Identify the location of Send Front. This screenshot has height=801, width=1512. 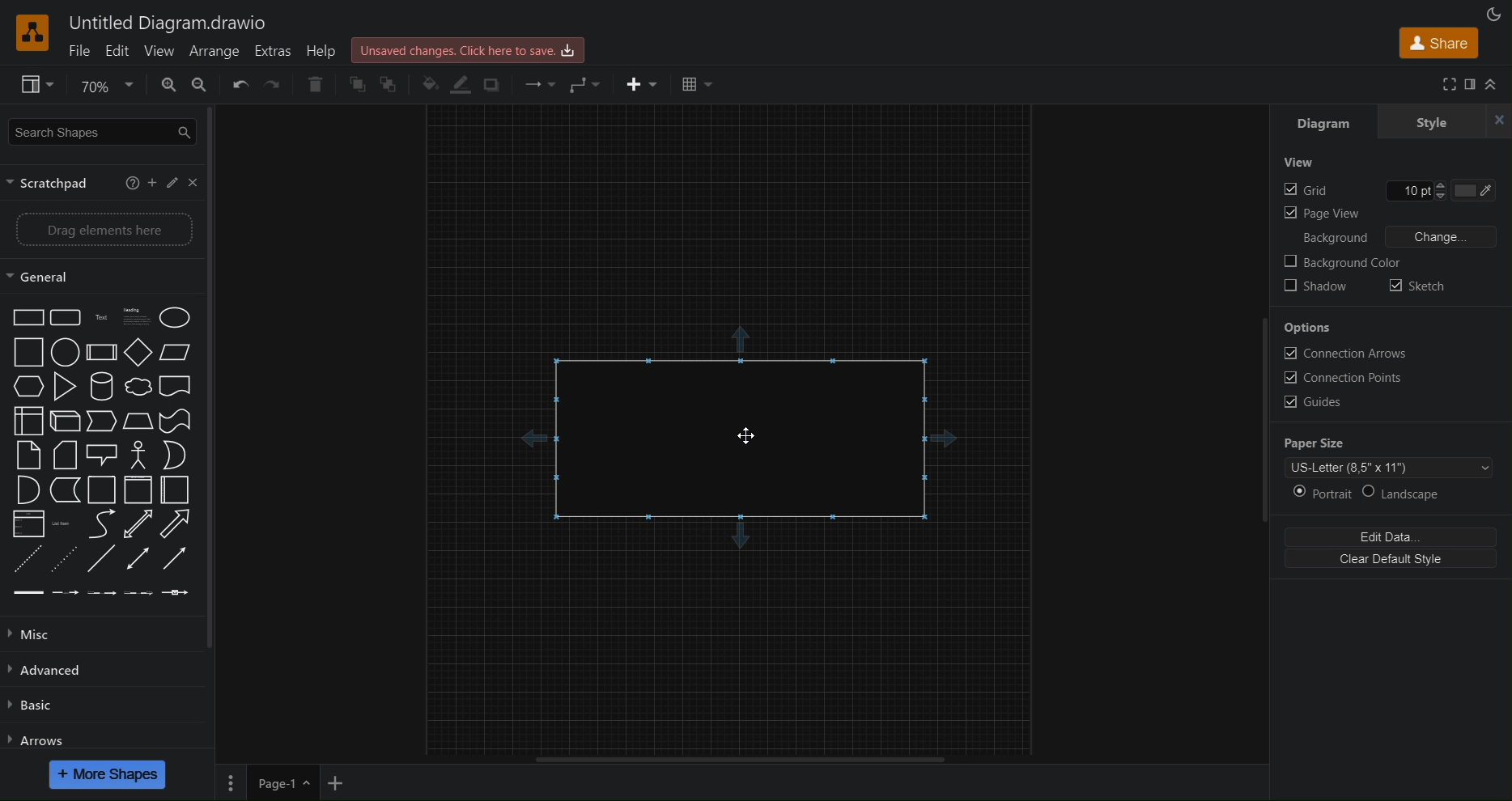
(390, 85).